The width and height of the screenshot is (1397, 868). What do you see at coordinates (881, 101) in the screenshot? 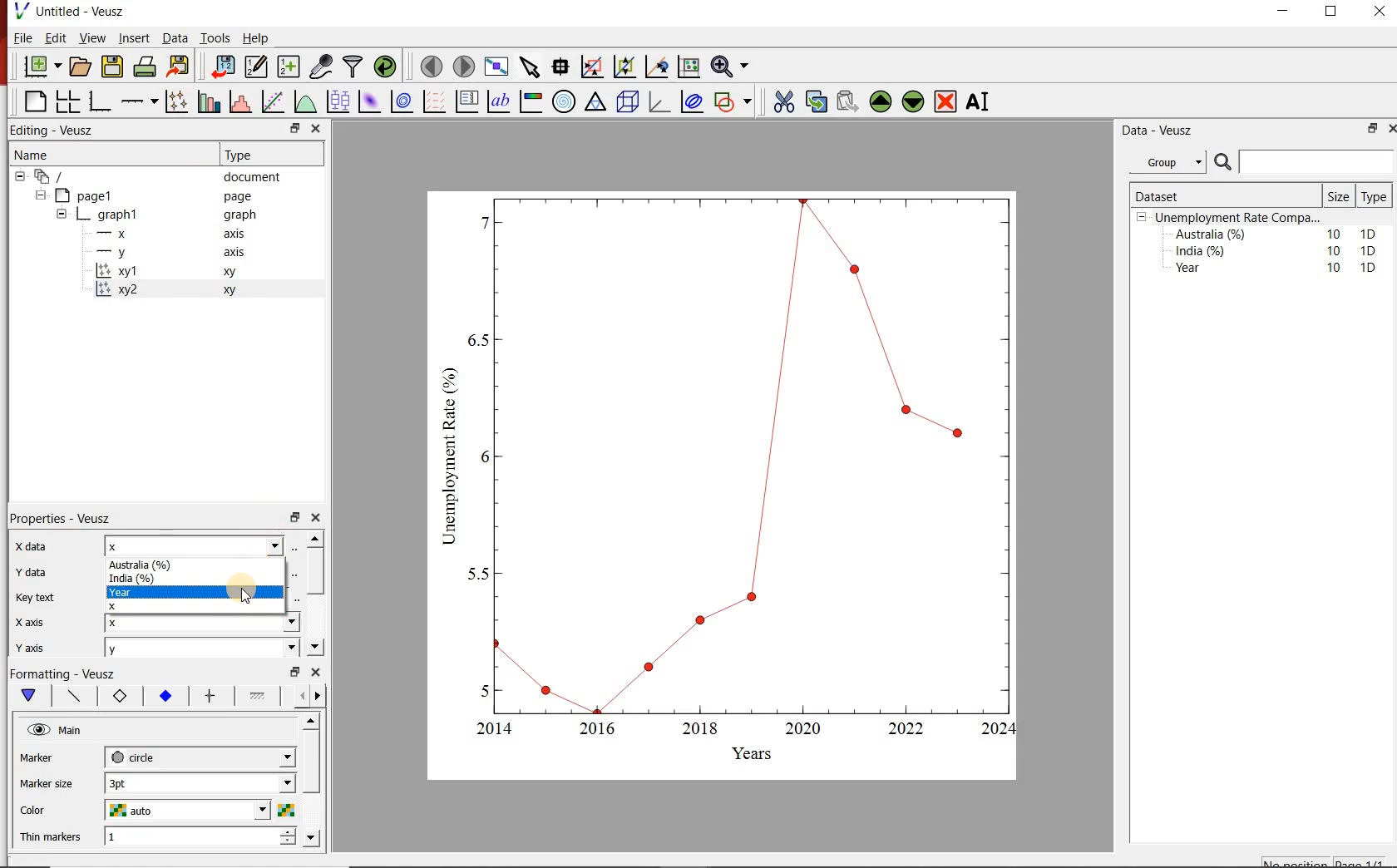
I see `move the widgets up` at bounding box center [881, 101].